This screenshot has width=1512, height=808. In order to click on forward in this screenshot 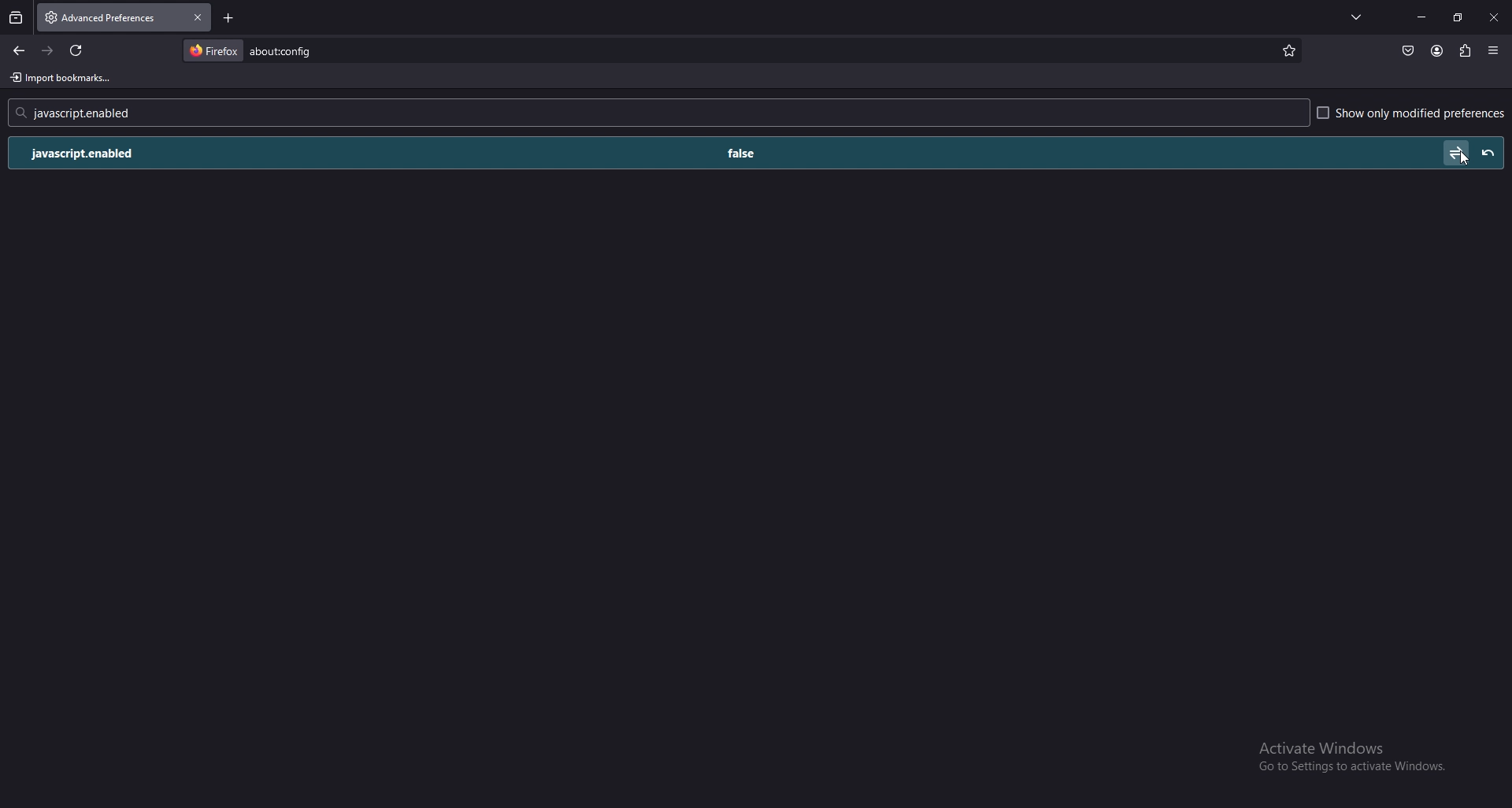, I will do `click(48, 50)`.